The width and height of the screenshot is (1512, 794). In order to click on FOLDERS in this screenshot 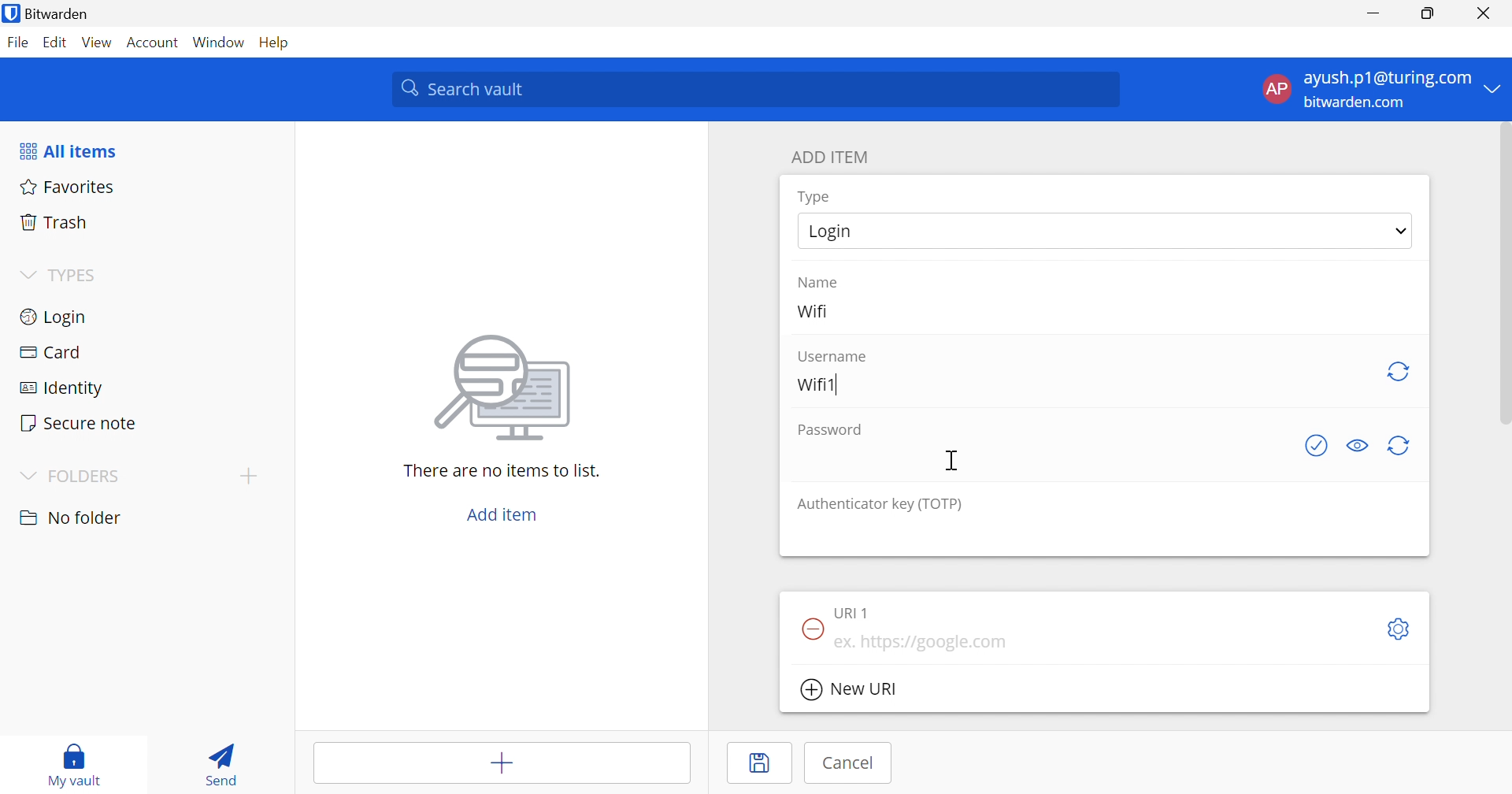, I will do `click(87, 477)`.